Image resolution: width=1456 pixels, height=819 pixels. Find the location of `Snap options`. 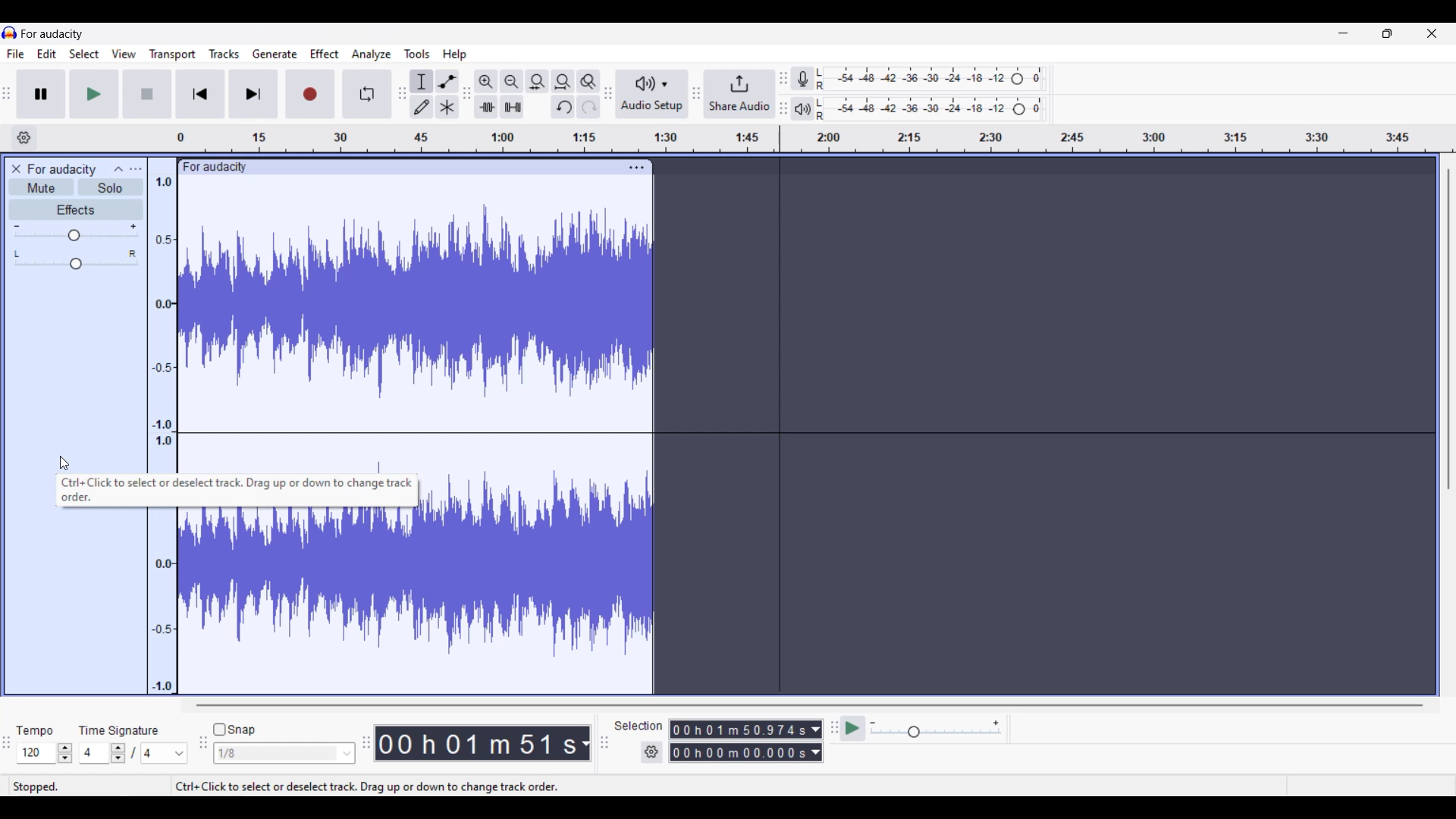

Snap options is located at coordinates (285, 753).